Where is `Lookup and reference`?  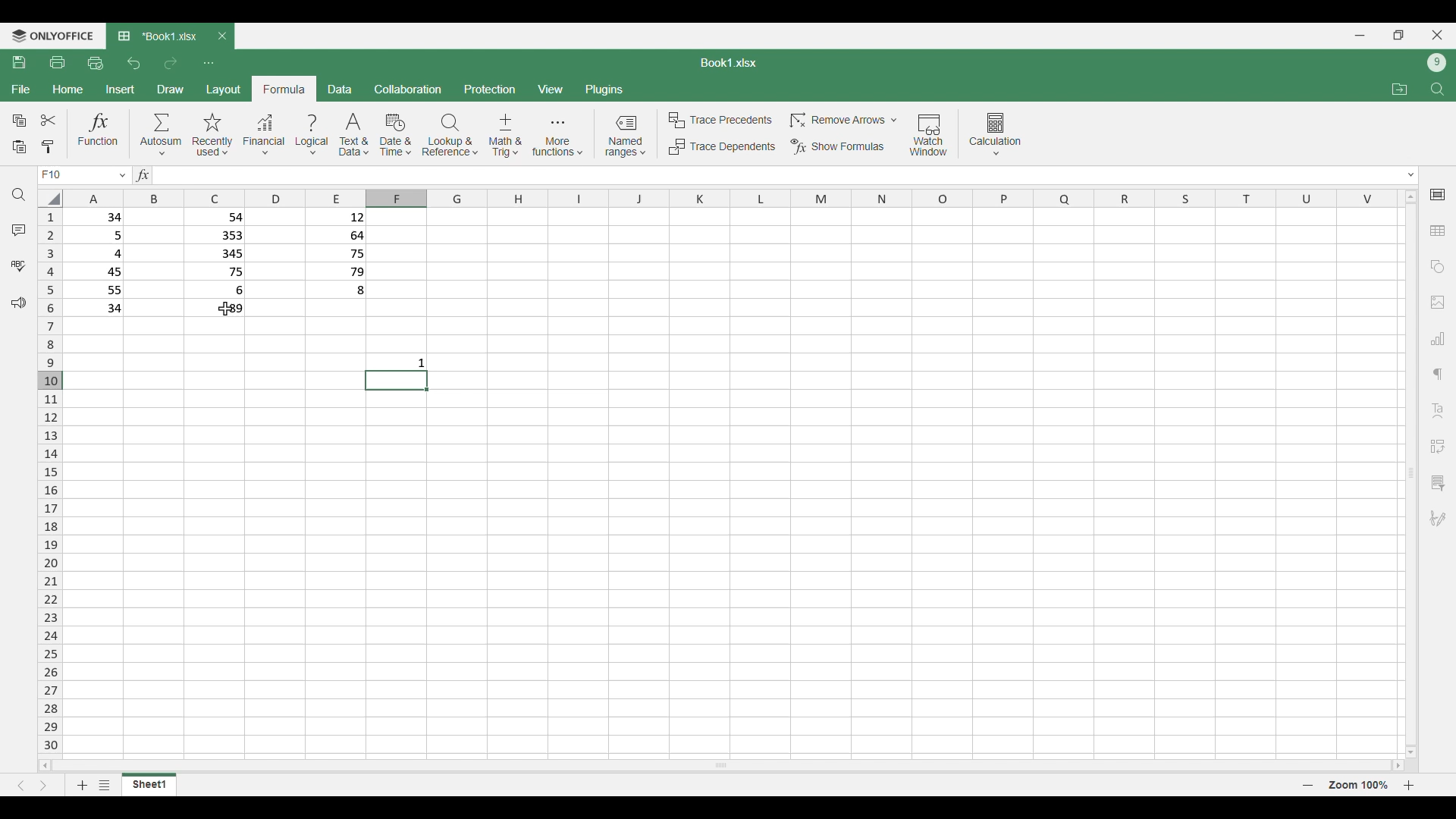
Lookup and reference is located at coordinates (450, 135).